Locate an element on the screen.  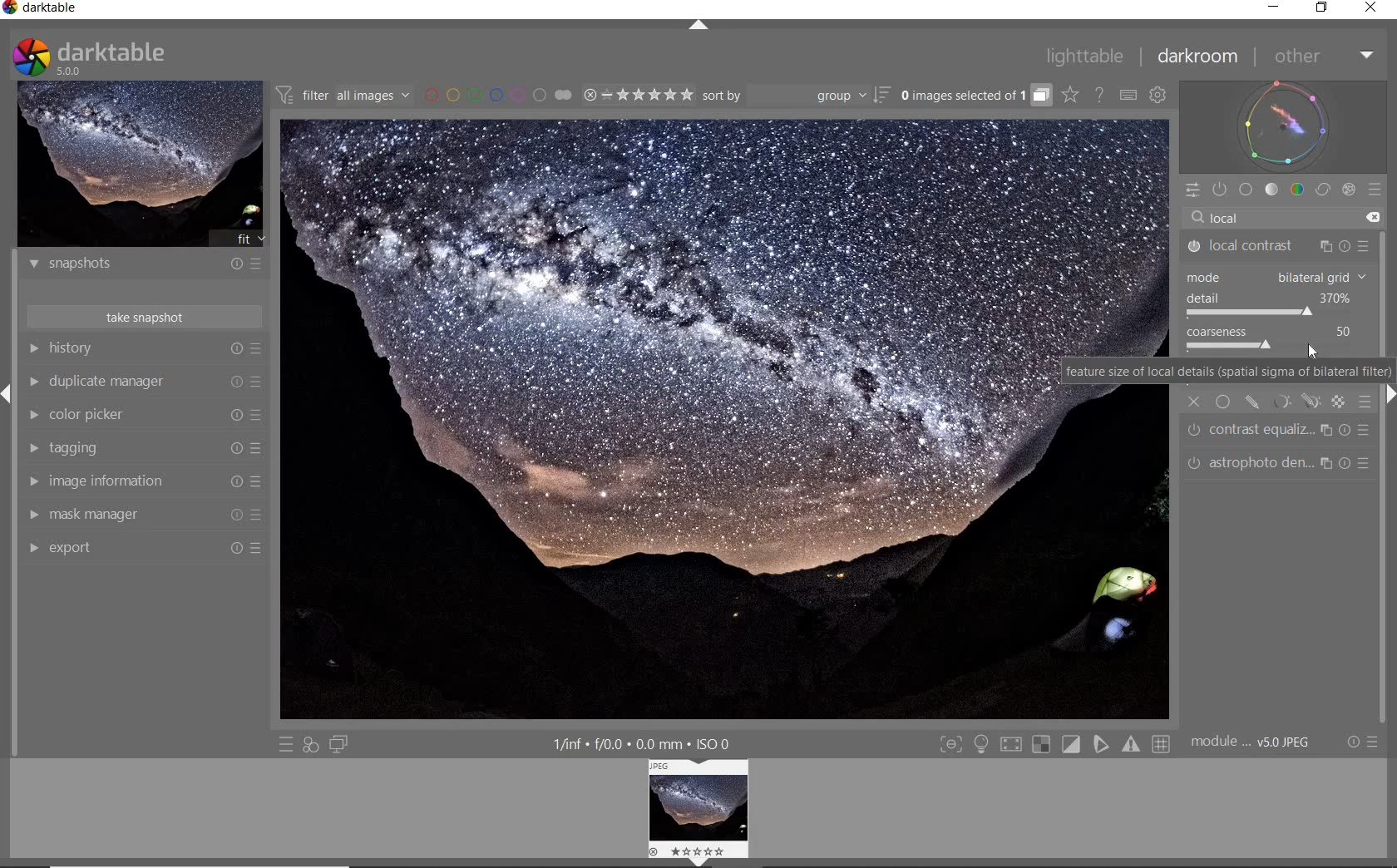
CLICK TO CHANGE THE OVERLAYS SHOWN ON THUMBNAILS is located at coordinates (1071, 96).